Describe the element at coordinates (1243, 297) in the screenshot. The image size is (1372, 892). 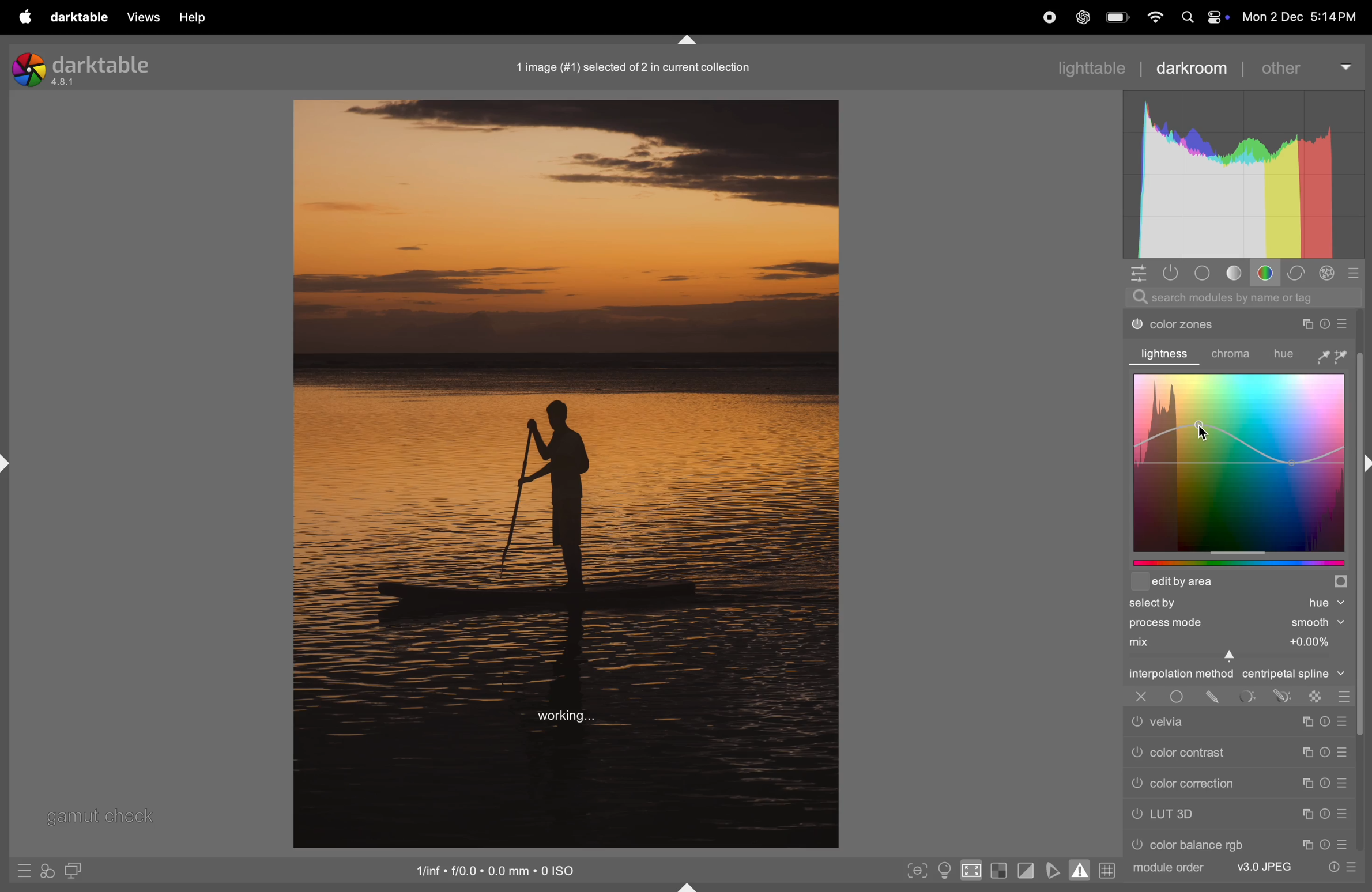
I see `search modules by name or tag` at that location.